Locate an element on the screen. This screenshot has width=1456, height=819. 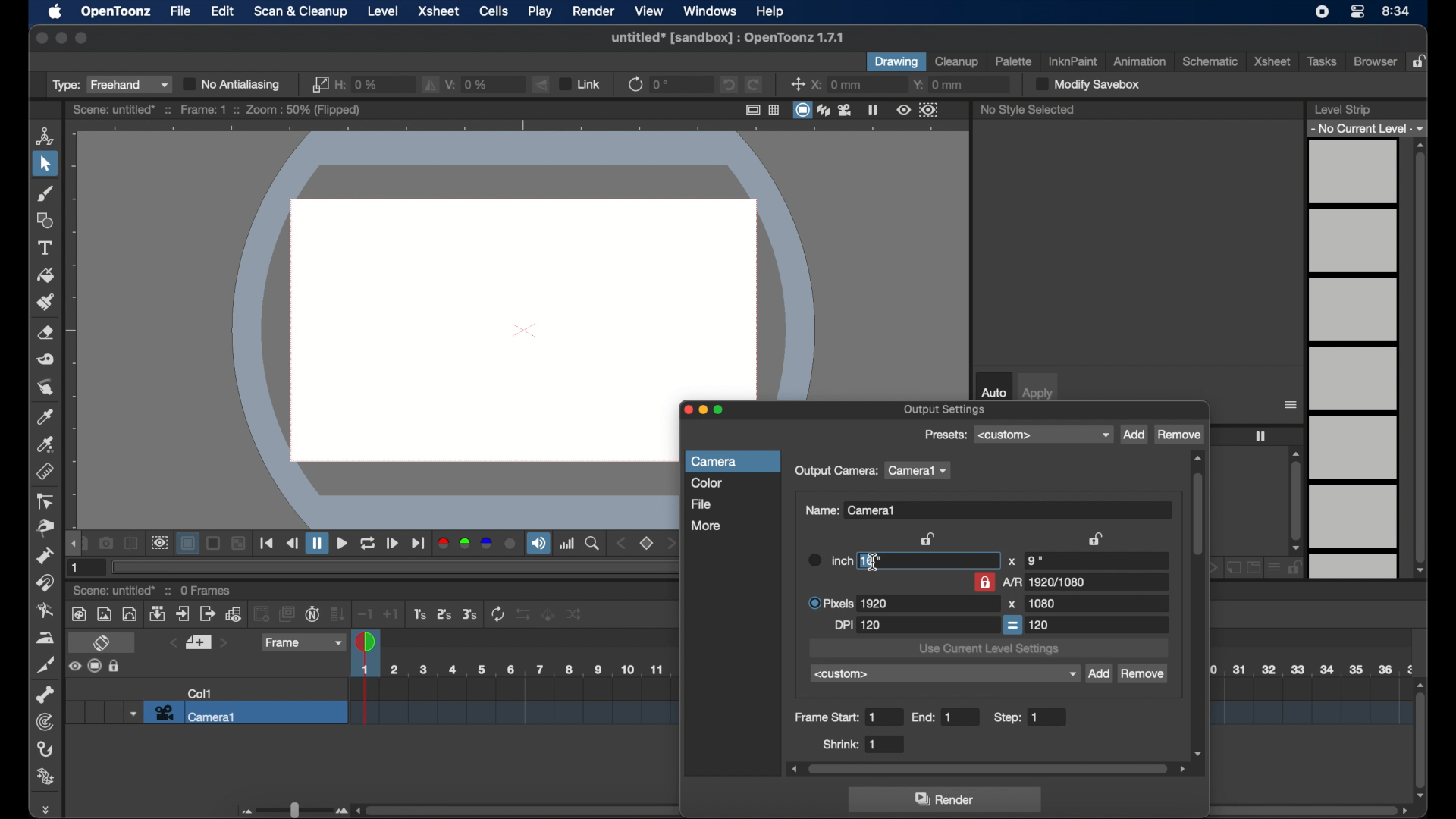
 is located at coordinates (526, 614).